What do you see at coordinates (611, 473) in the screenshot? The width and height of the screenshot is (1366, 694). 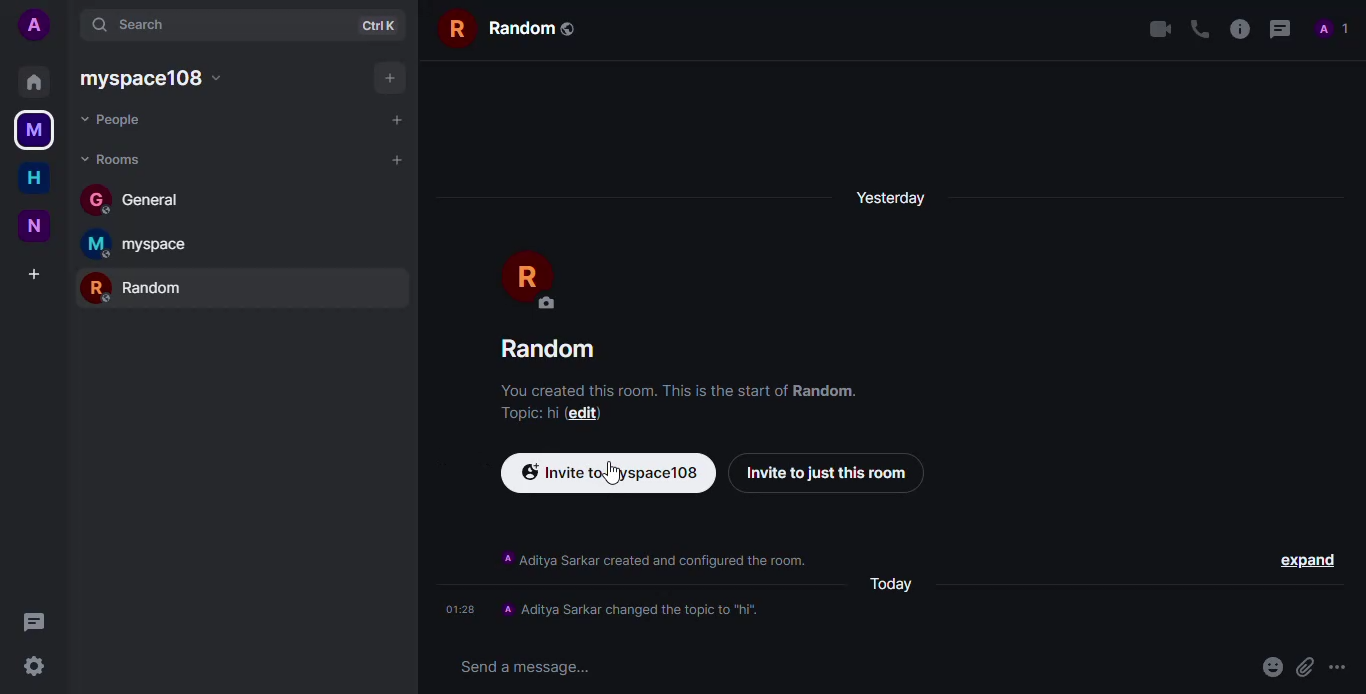 I see `invite to myspace108` at bounding box center [611, 473].